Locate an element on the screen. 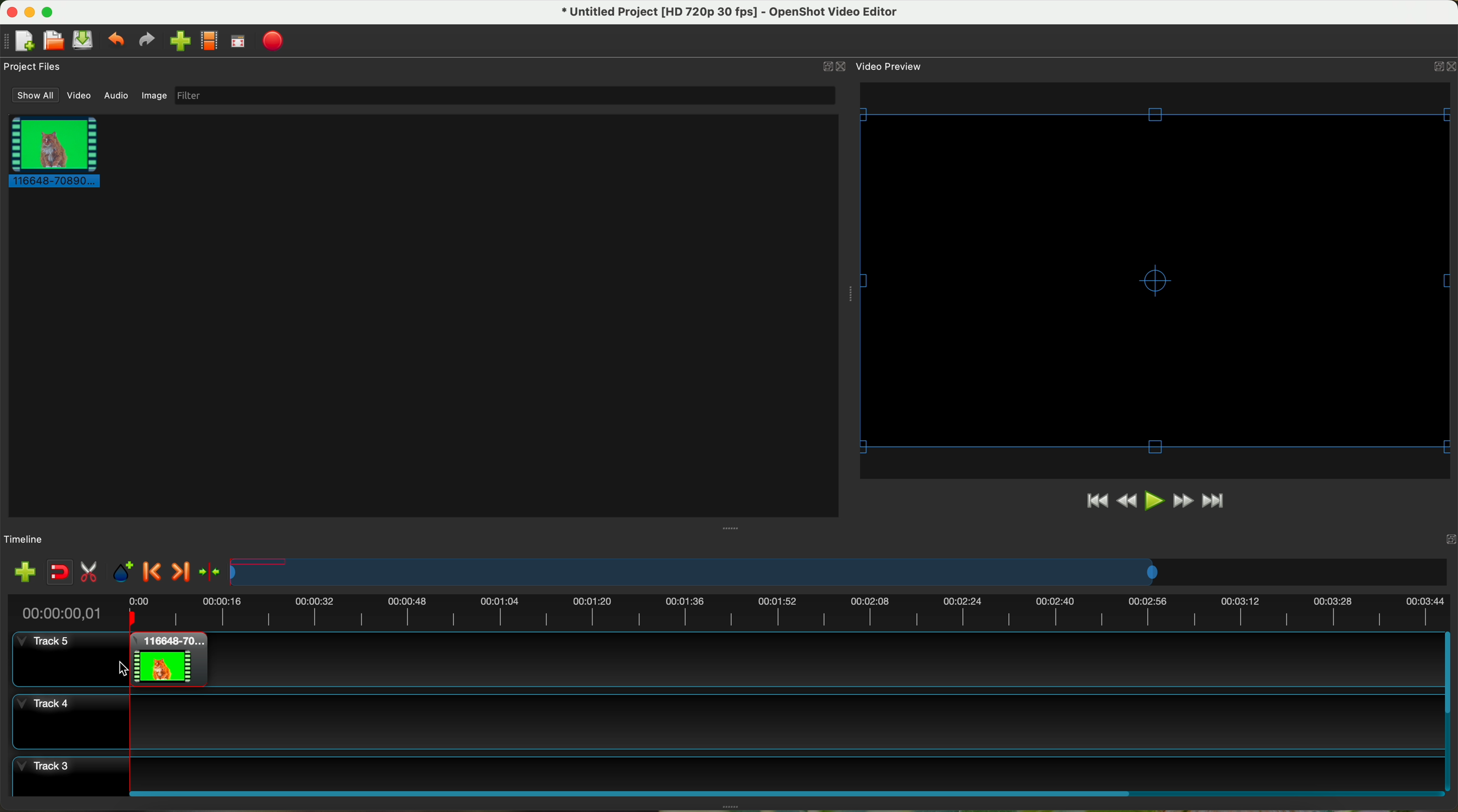 The image size is (1458, 812). disable snapping is located at coordinates (60, 572).